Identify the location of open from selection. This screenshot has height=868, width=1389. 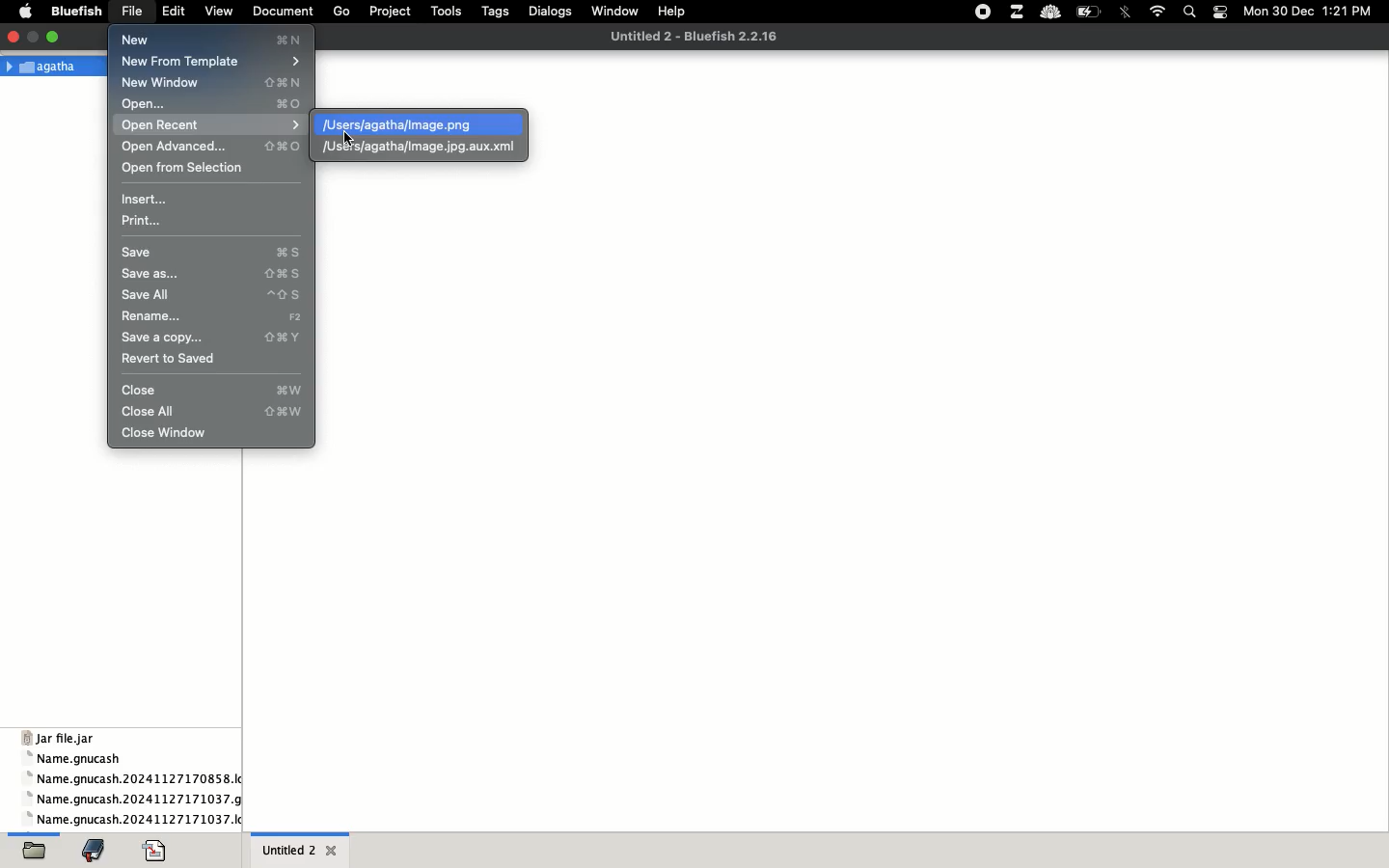
(199, 169).